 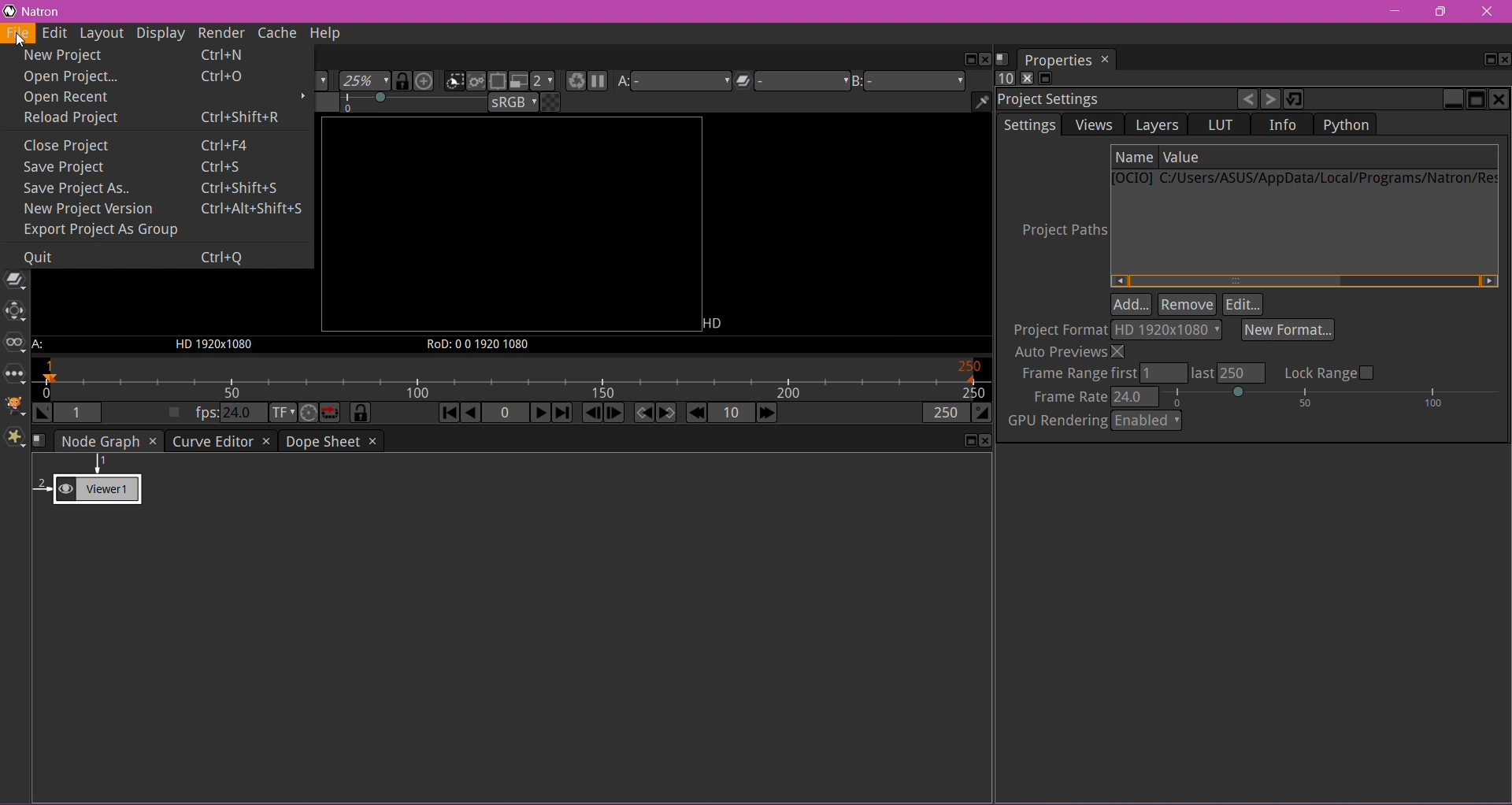 I want to click on New Project Version, so click(x=163, y=210).